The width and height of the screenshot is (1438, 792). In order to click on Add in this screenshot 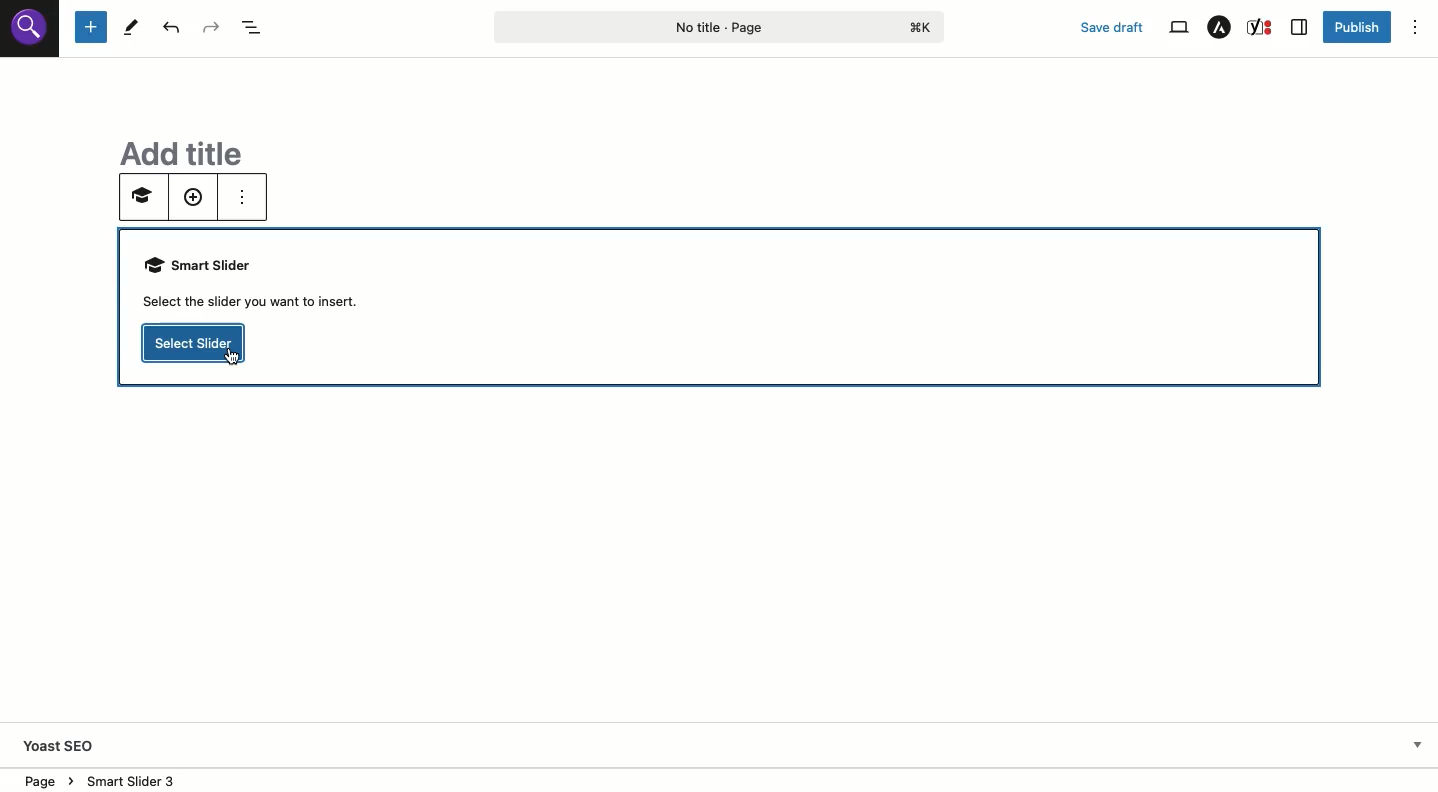, I will do `click(192, 199)`.